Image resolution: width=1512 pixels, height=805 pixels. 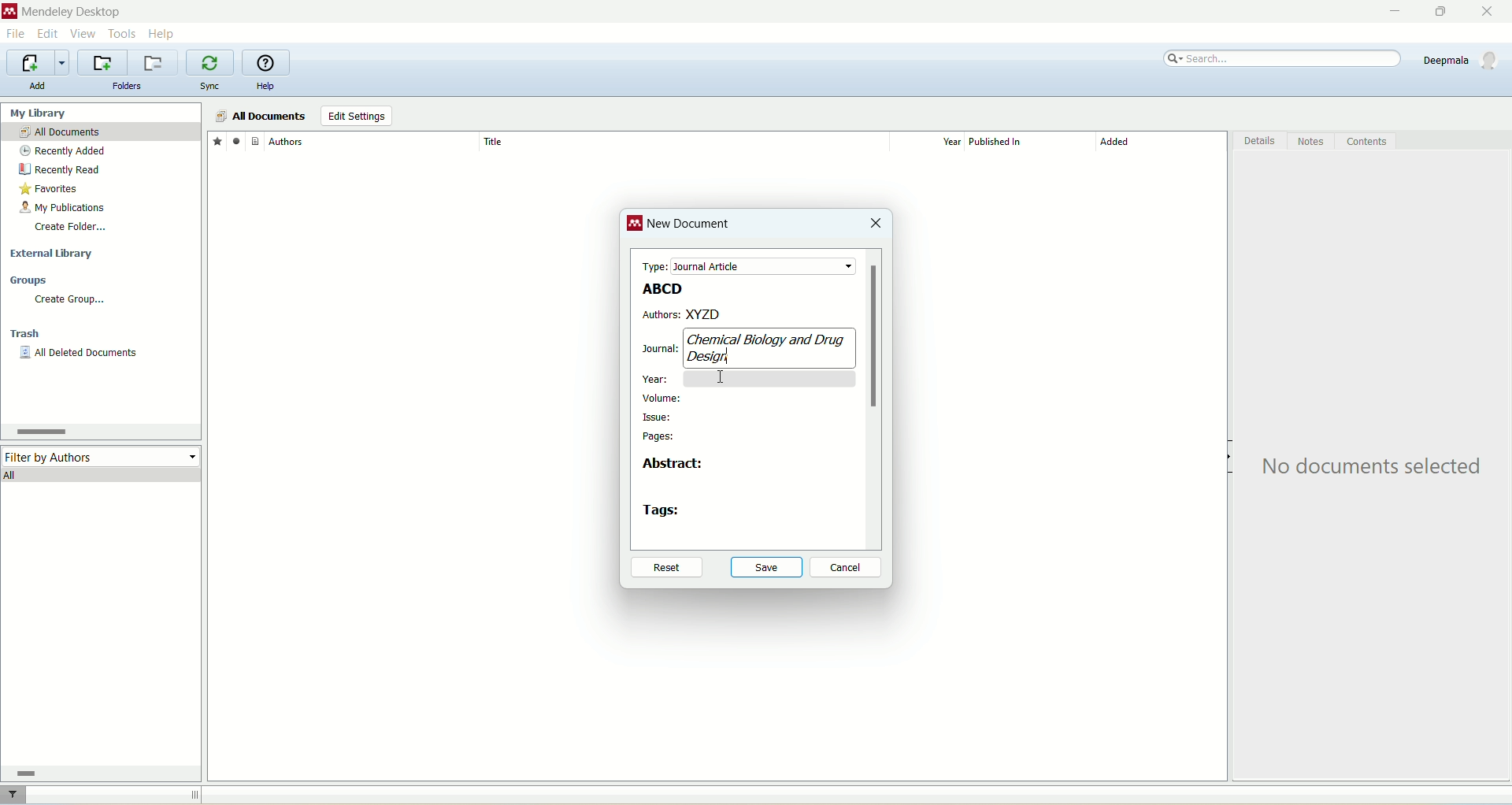 What do you see at coordinates (773, 313) in the screenshot?
I see `XYZD` at bounding box center [773, 313].